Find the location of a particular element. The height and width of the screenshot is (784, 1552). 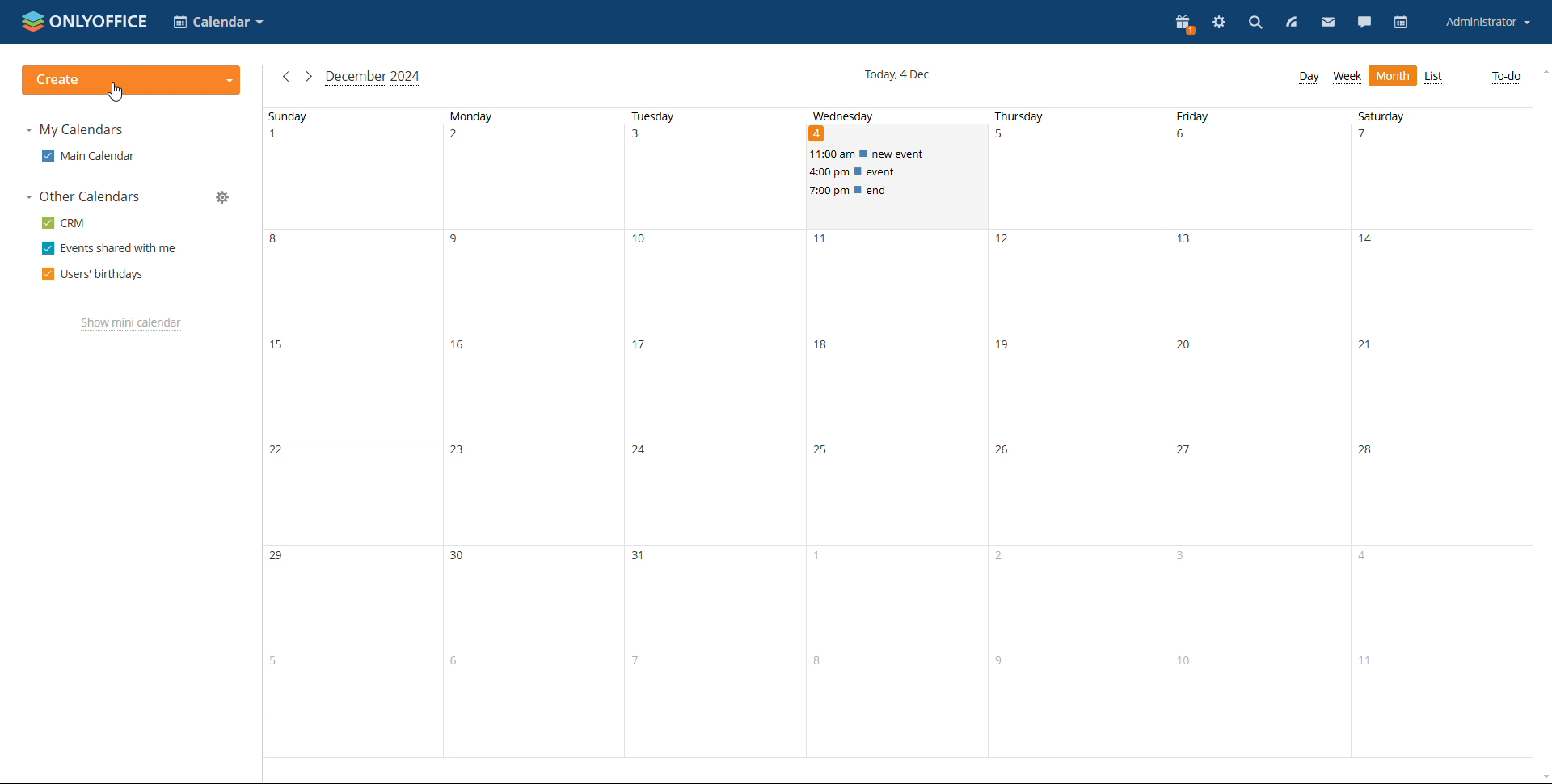

present is located at coordinates (1183, 24).